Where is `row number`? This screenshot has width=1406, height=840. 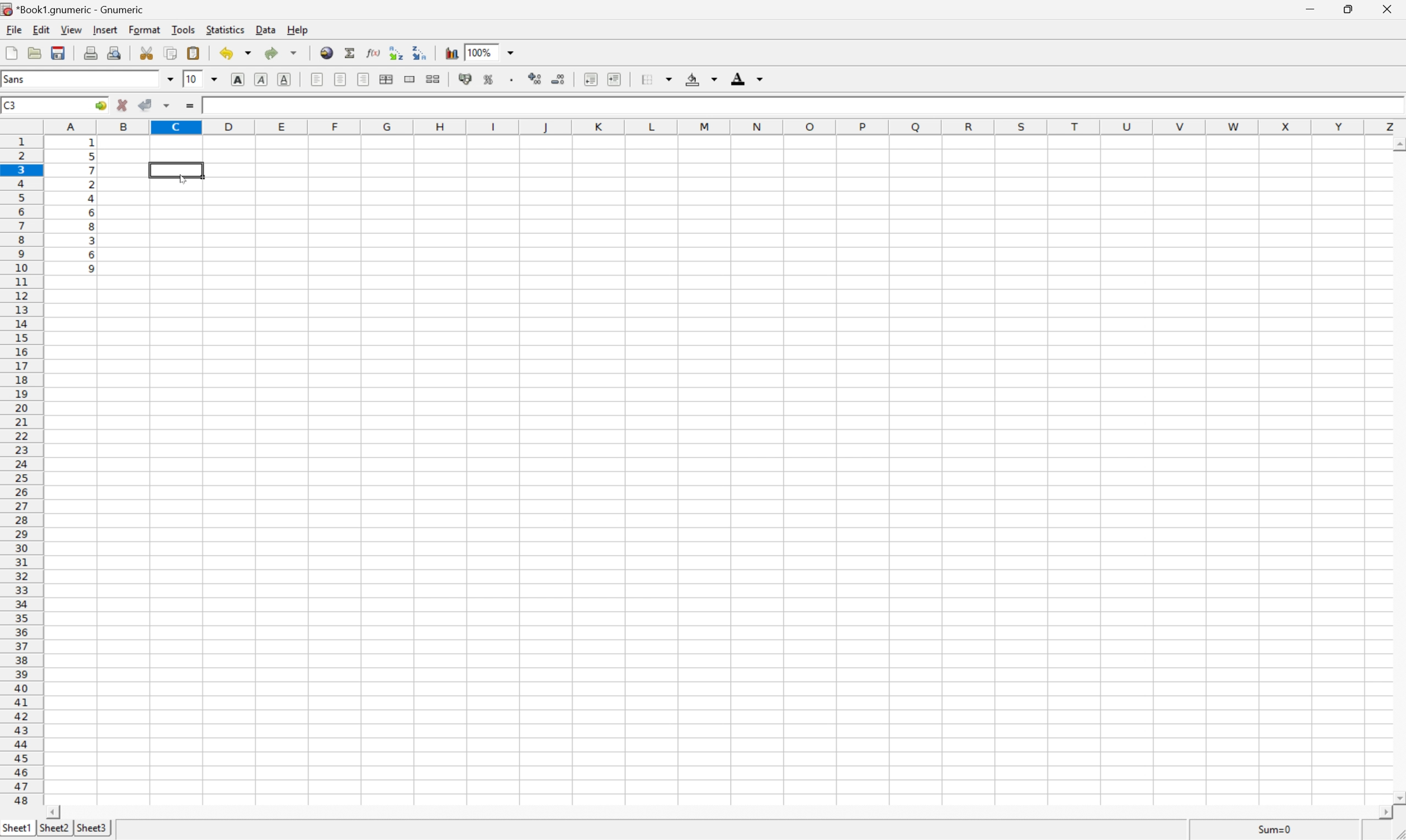 row number is located at coordinates (20, 471).